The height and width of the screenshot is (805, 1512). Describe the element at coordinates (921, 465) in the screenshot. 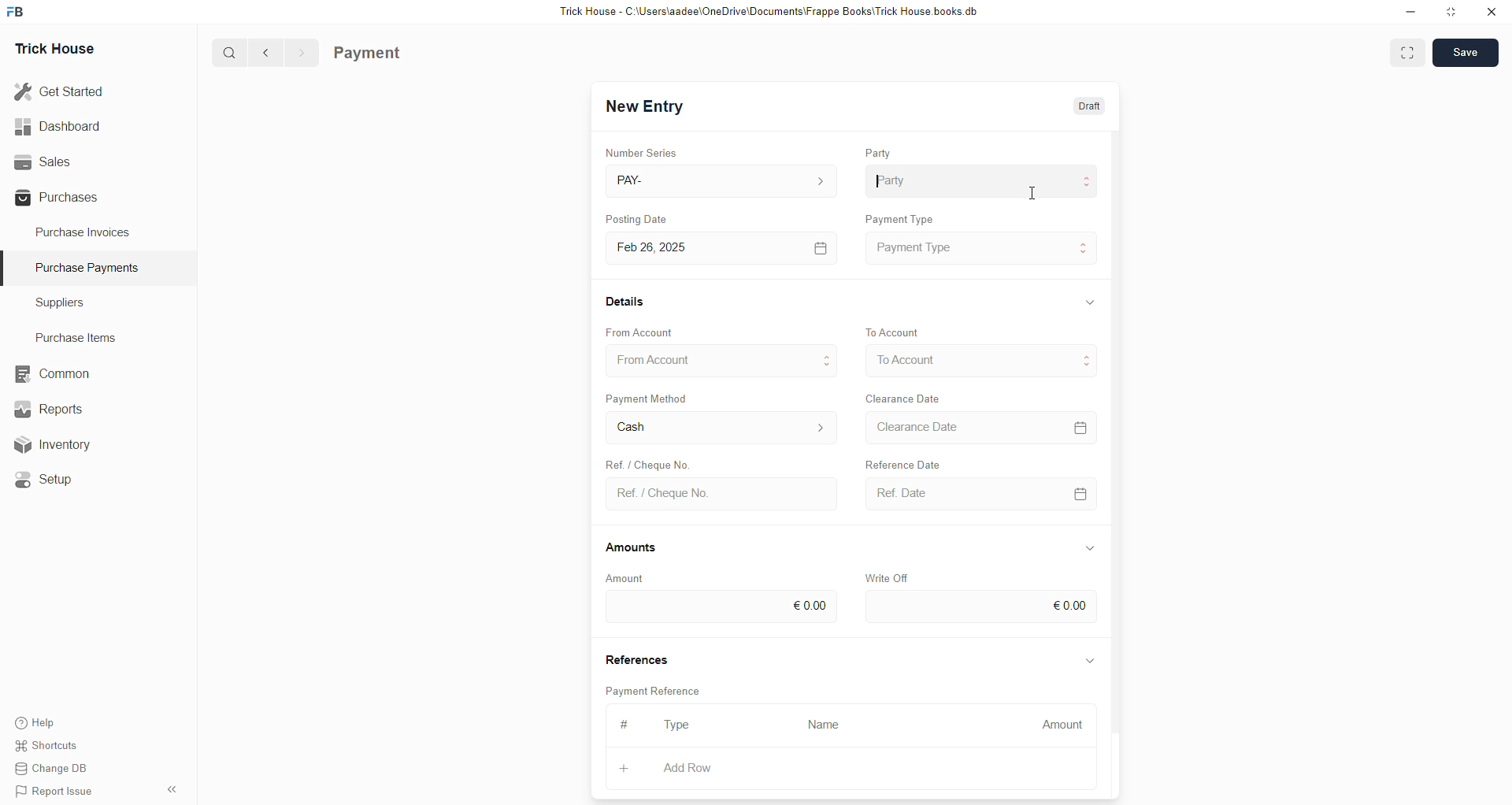

I see `Reference Date` at that location.